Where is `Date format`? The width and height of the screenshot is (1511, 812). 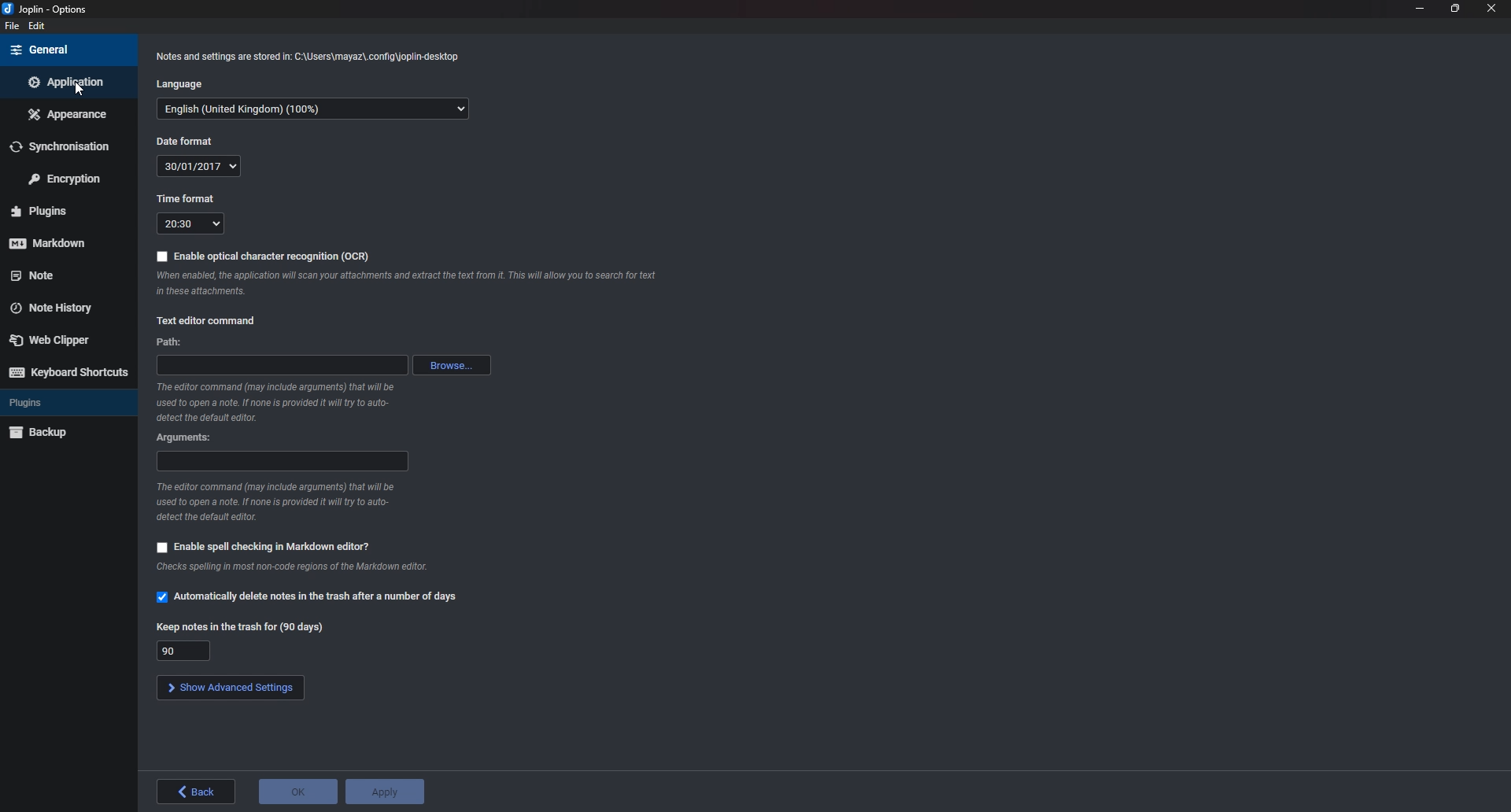
Date format is located at coordinates (189, 141).